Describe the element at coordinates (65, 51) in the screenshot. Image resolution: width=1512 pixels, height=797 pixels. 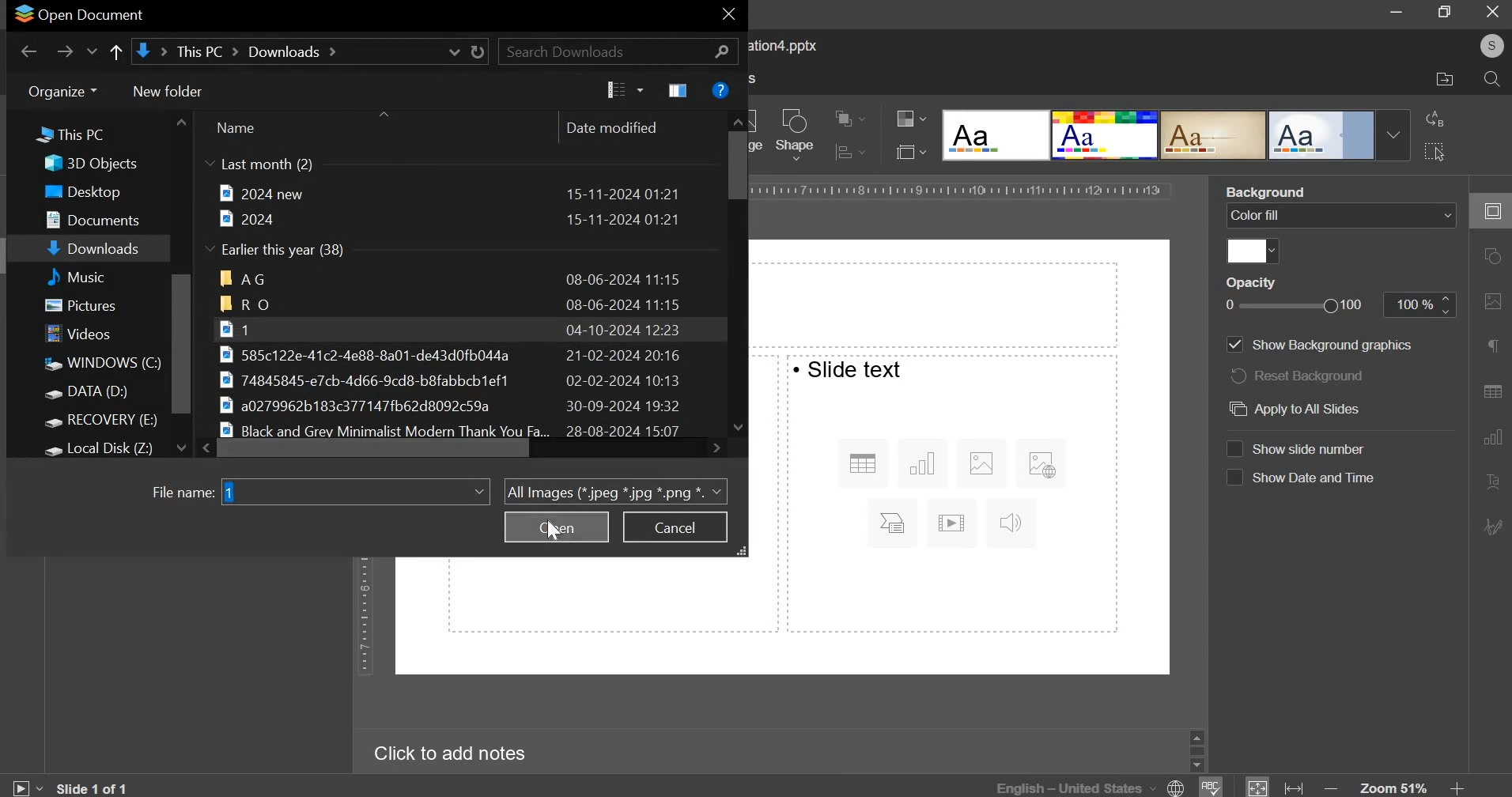
I see `forward` at that location.